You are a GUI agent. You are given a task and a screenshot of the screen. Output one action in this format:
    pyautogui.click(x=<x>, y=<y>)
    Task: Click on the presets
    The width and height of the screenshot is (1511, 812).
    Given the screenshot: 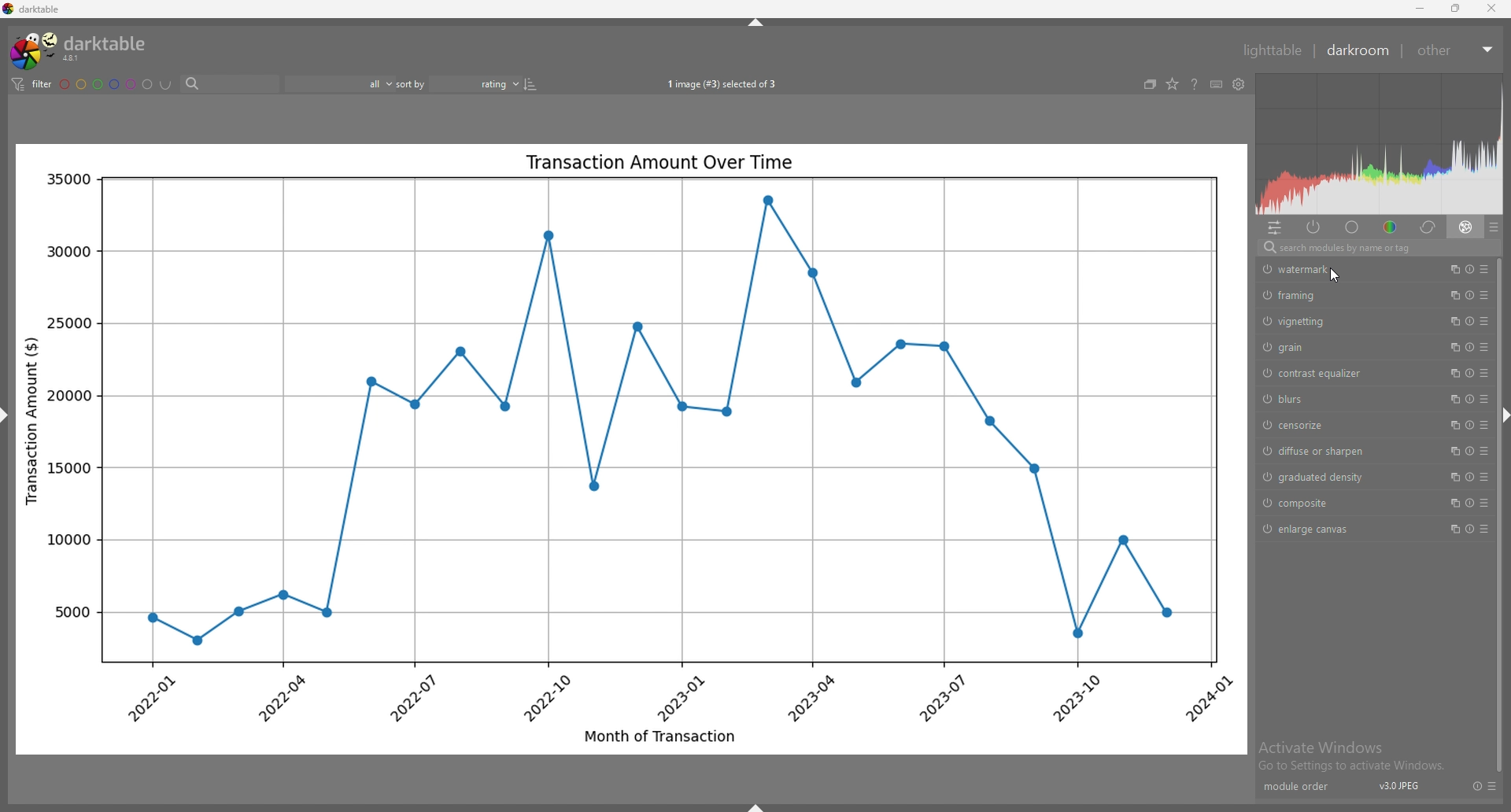 What is the action you would take?
    pyautogui.click(x=1483, y=476)
    